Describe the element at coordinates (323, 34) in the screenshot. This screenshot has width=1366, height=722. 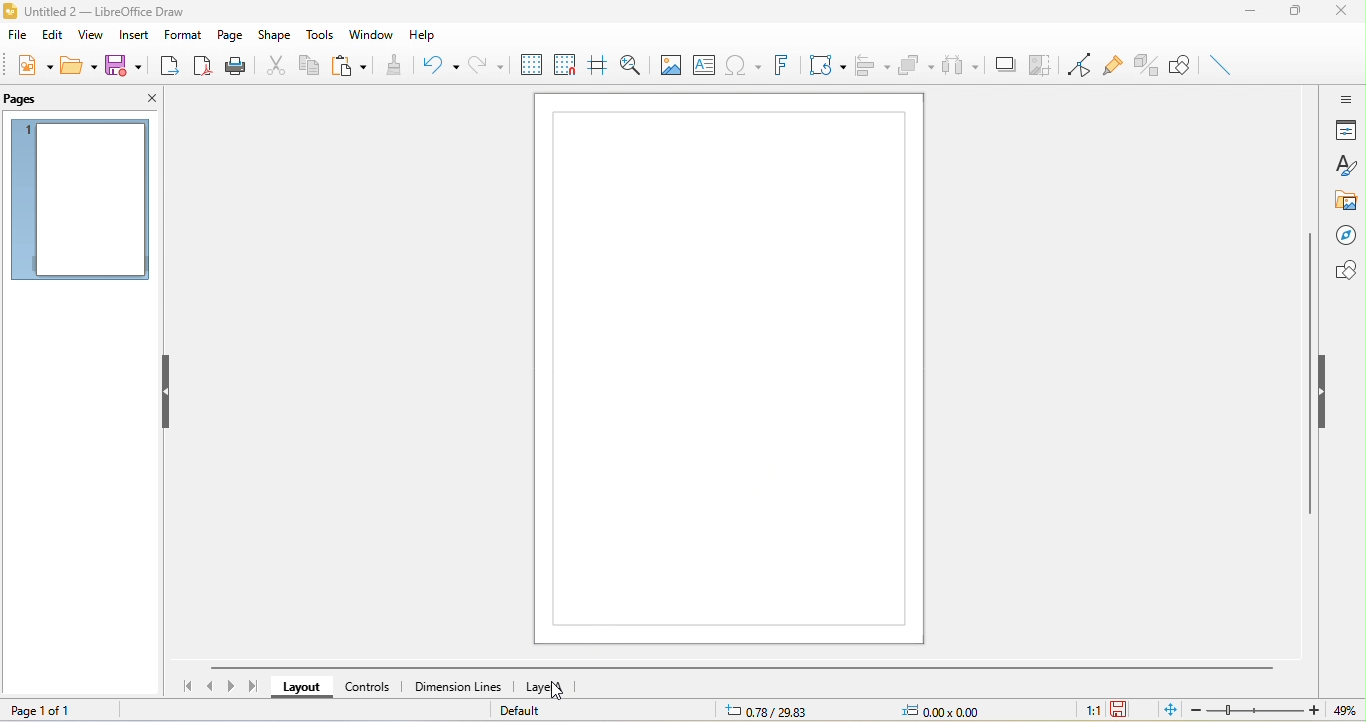
I see `tools` at that location.